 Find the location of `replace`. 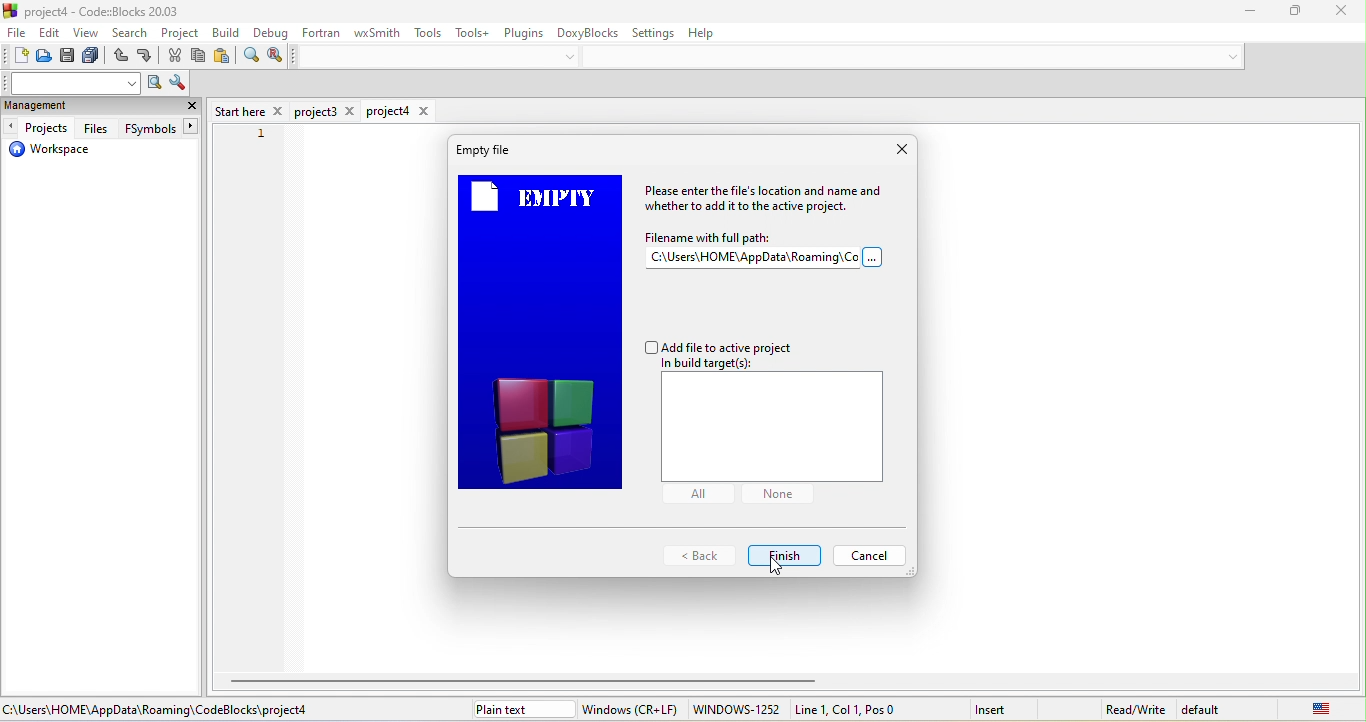

replace is located at coordinates (275, 56).